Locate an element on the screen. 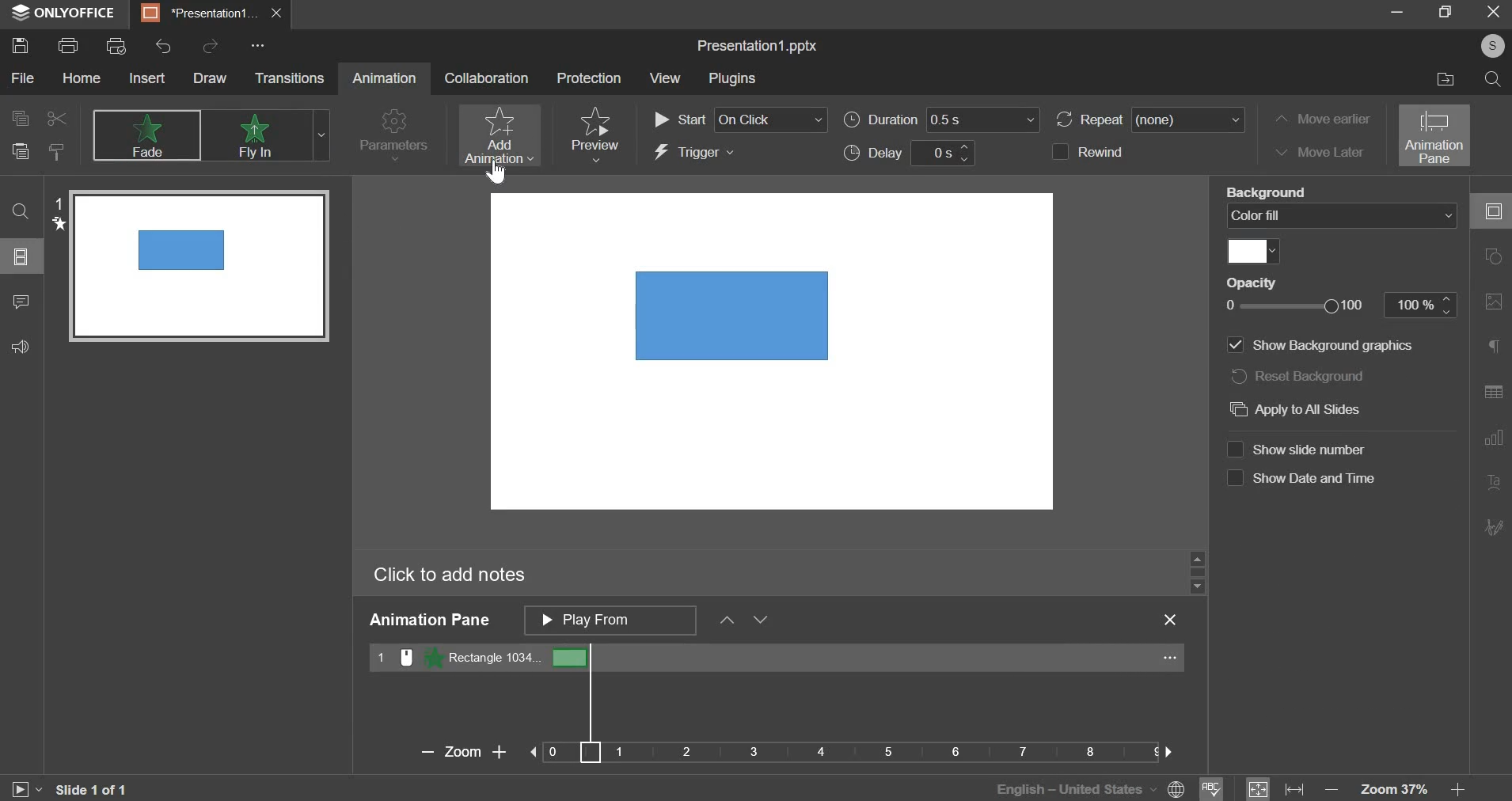 This screenshot has width=1512, height=801. transitions is located at coordinates (291, 80).